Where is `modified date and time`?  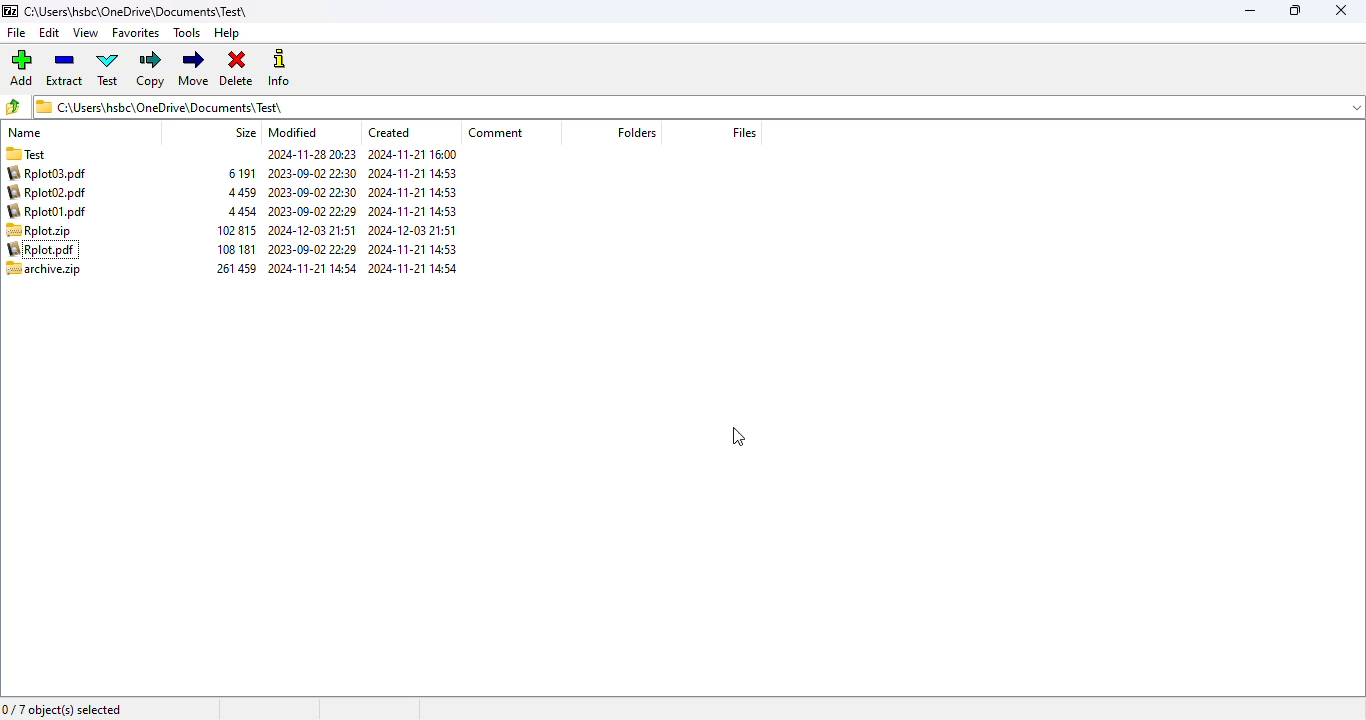
modified date and time is located at coordinates (311, 230).